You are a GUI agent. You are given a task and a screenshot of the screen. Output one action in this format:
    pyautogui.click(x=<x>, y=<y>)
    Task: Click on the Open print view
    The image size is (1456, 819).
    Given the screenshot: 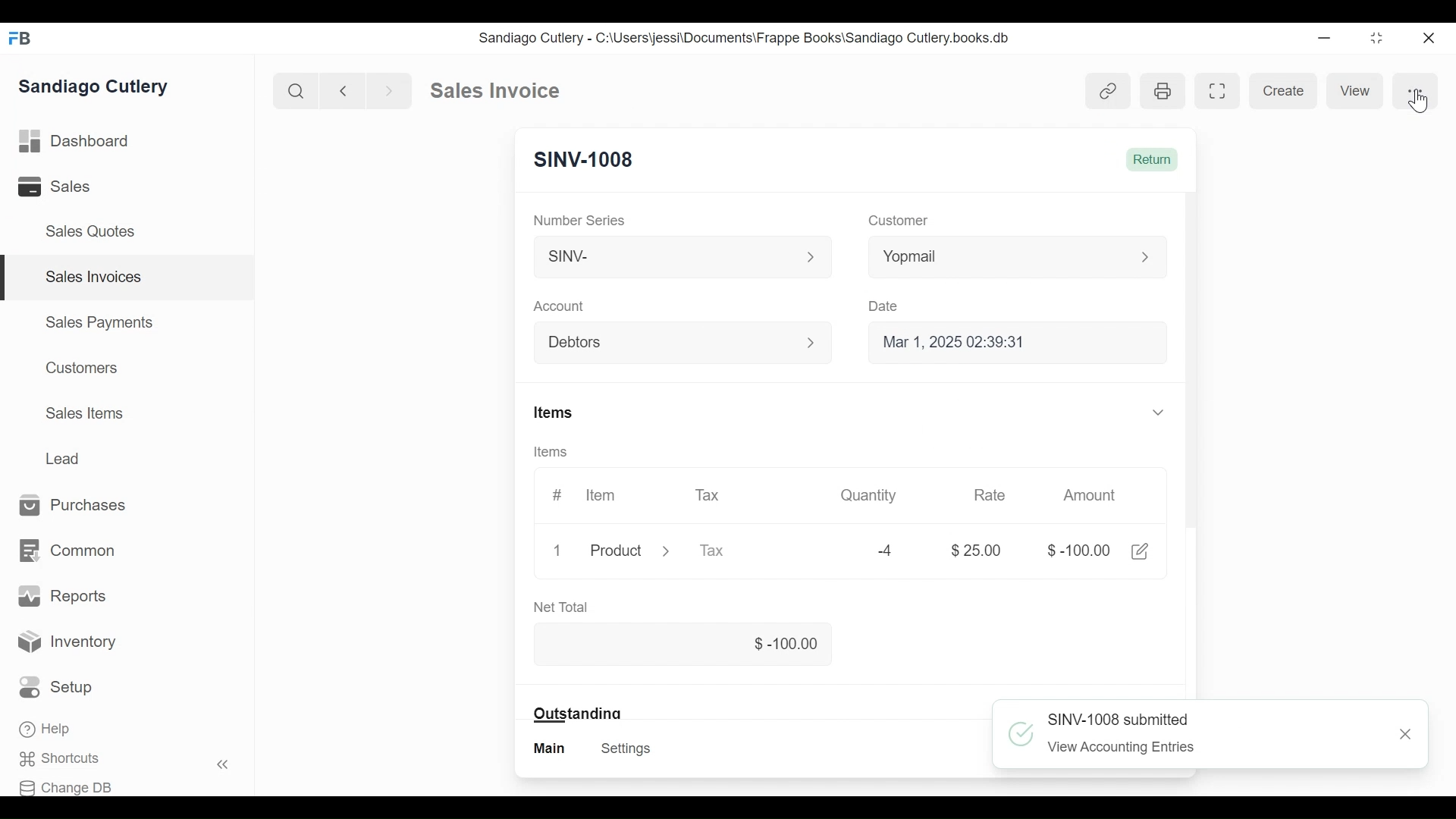 What is the action you would take?
    pyautogui.click(x=1164, y=90)
    